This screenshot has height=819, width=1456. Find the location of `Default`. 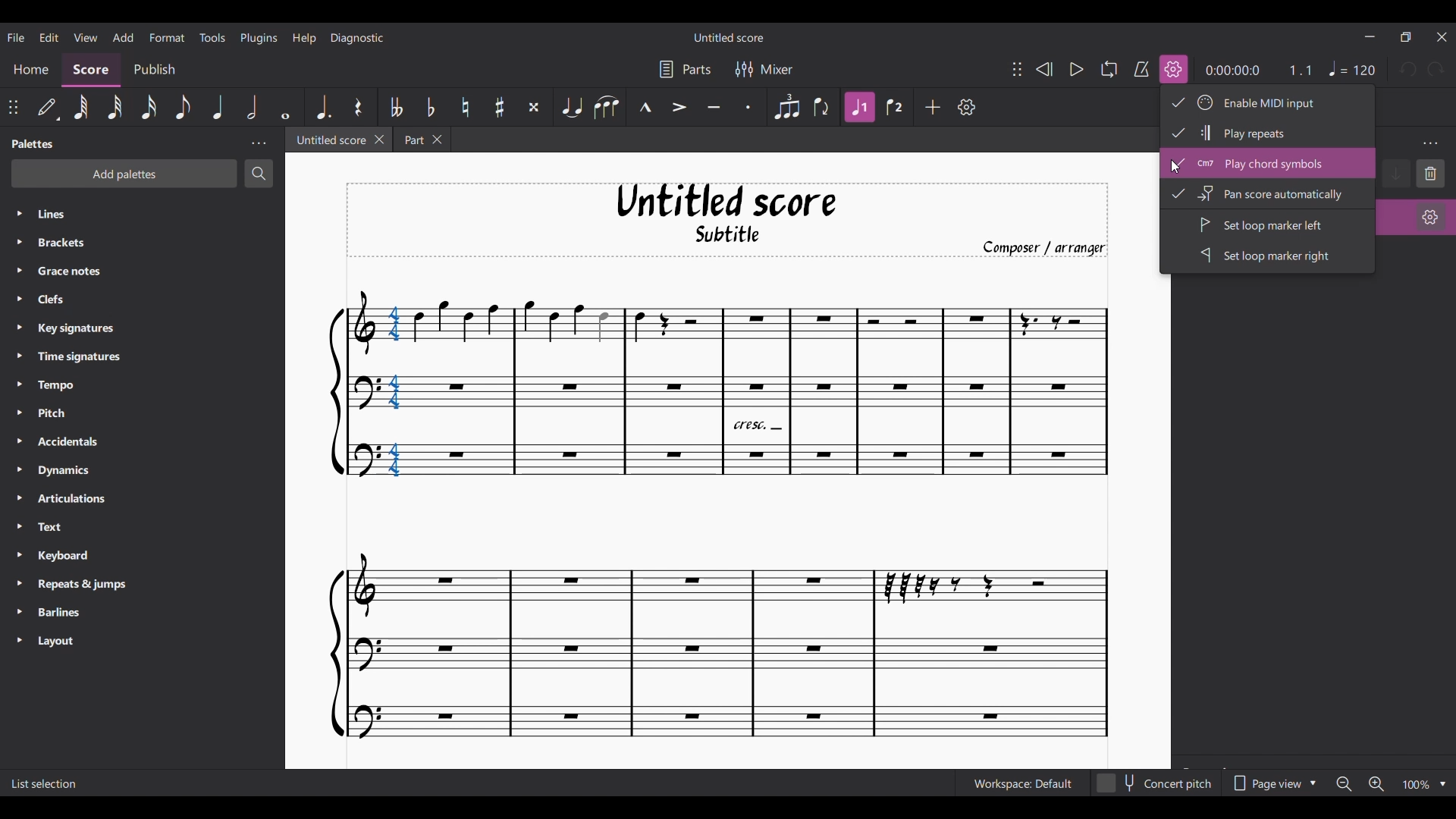

Default is located at coordinates (48, 107).